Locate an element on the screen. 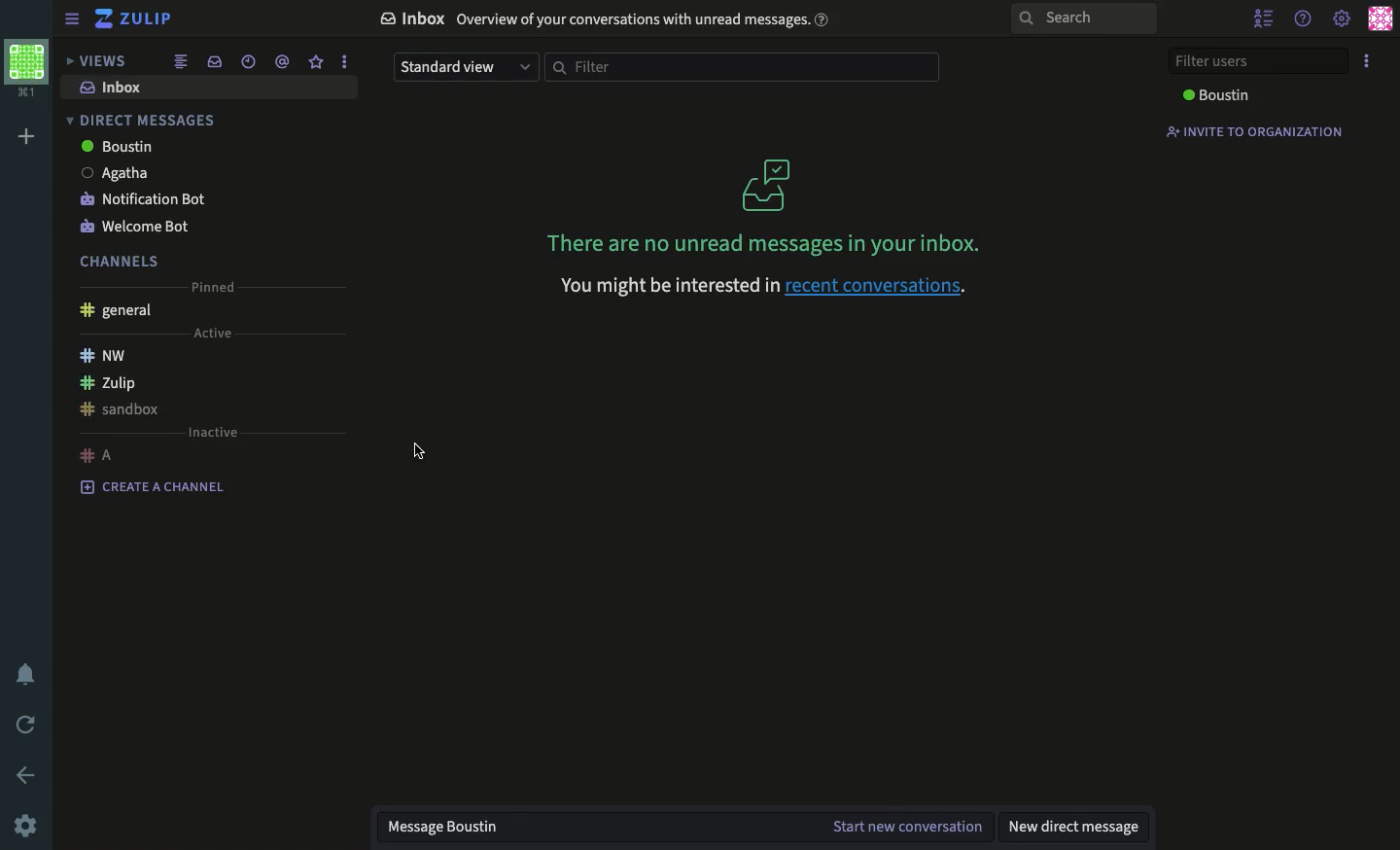 Image resolution: width=1400 pixels, height=850 pixels. There are no unread messages in your inbox. is located at coordinates (766, 204).